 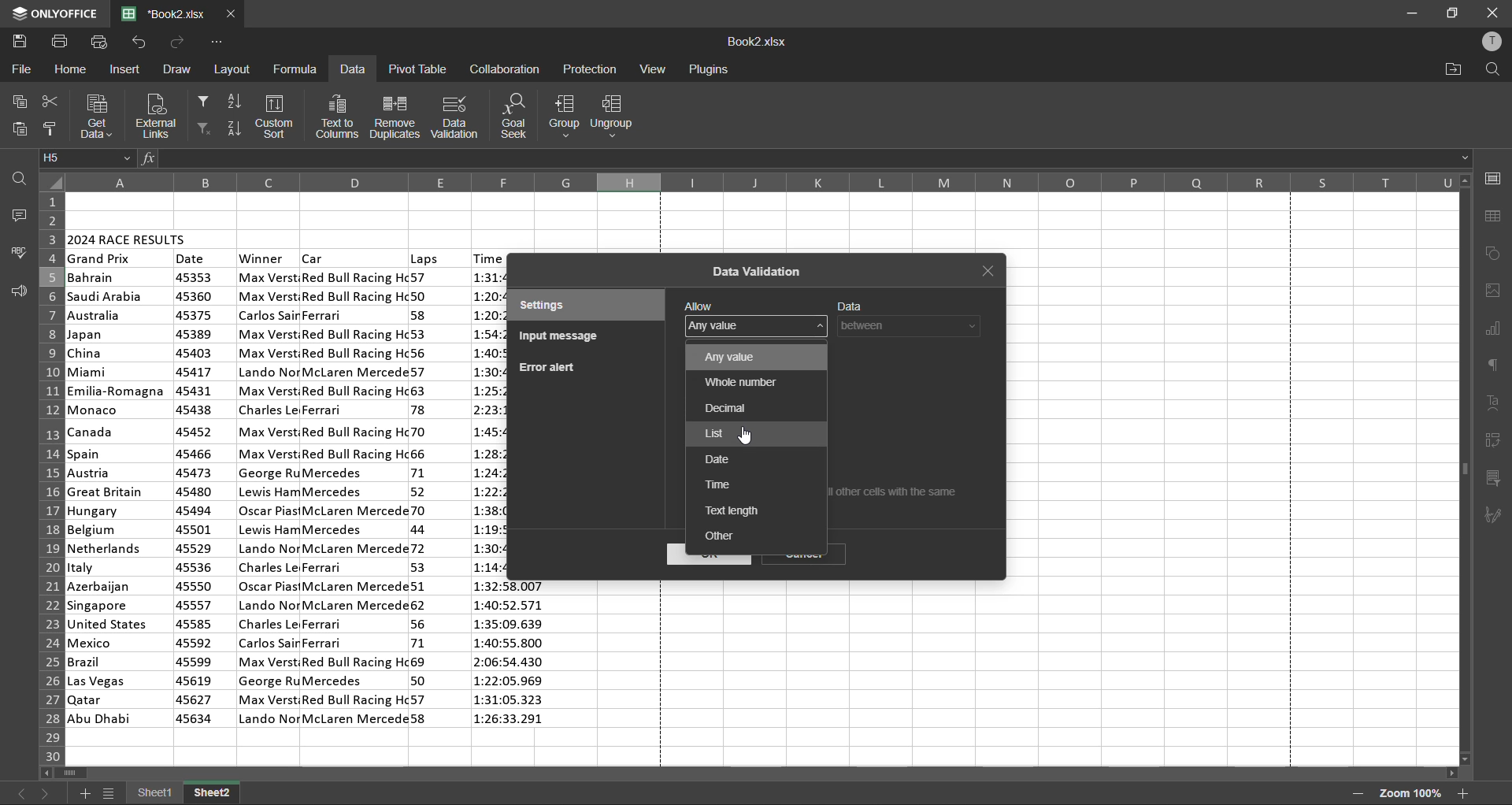 I want to click on table, so click(x=1497, y=217).